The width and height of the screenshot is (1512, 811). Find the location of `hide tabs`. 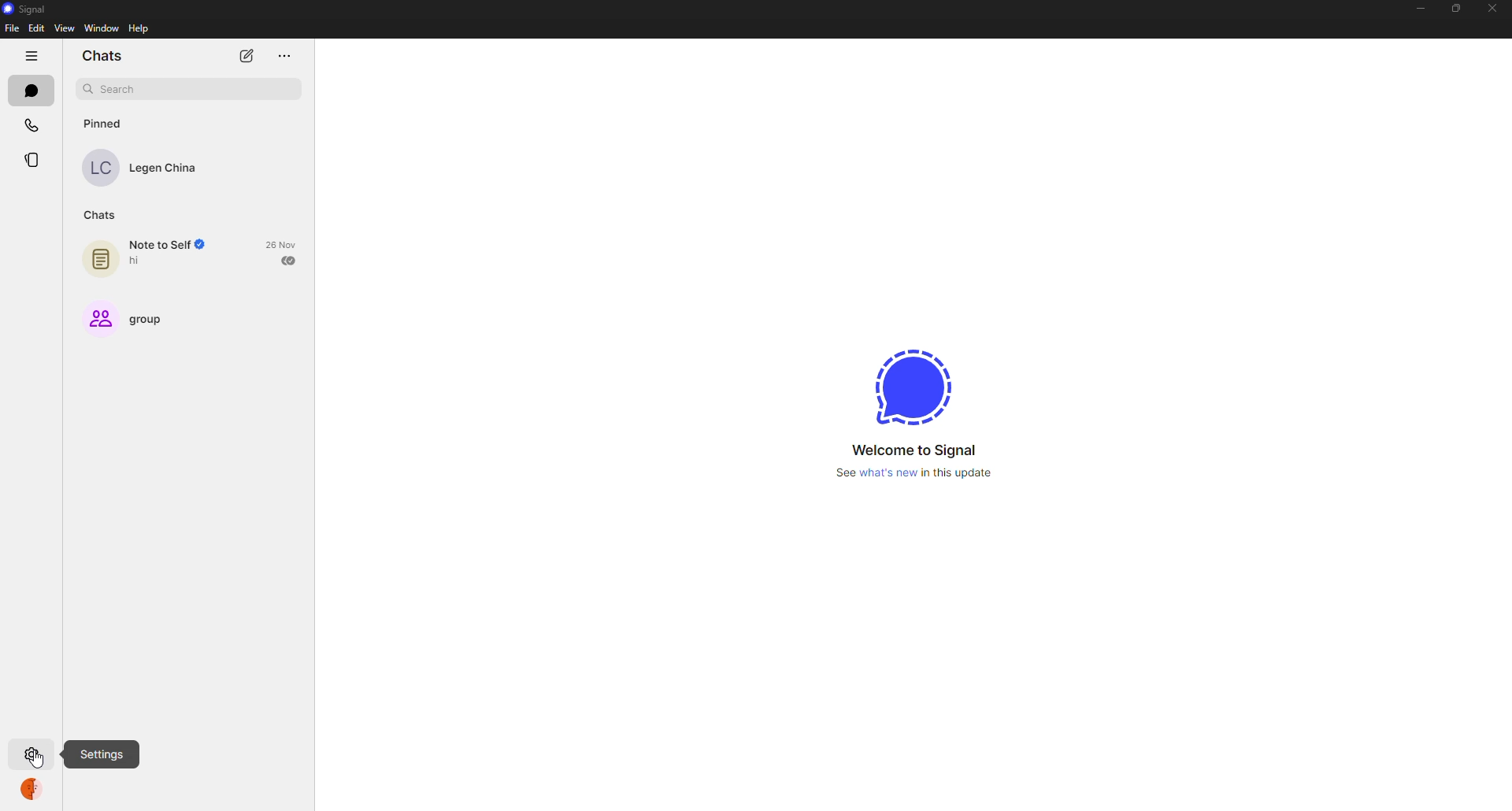

hide tabs is located at coordinates (31, 57).